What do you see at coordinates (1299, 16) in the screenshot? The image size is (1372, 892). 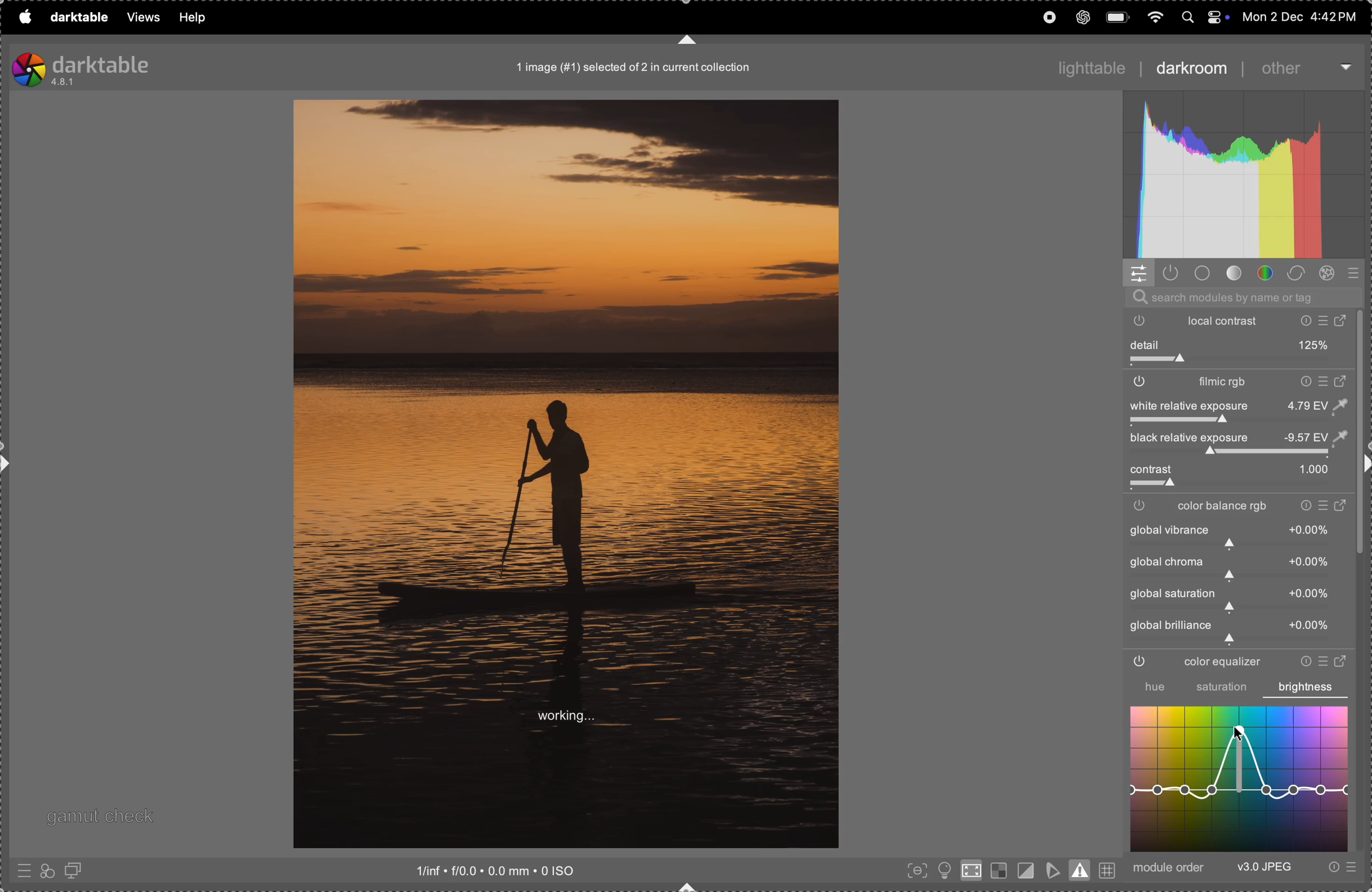 I see `date and time` at bounding box center [1299, 16].